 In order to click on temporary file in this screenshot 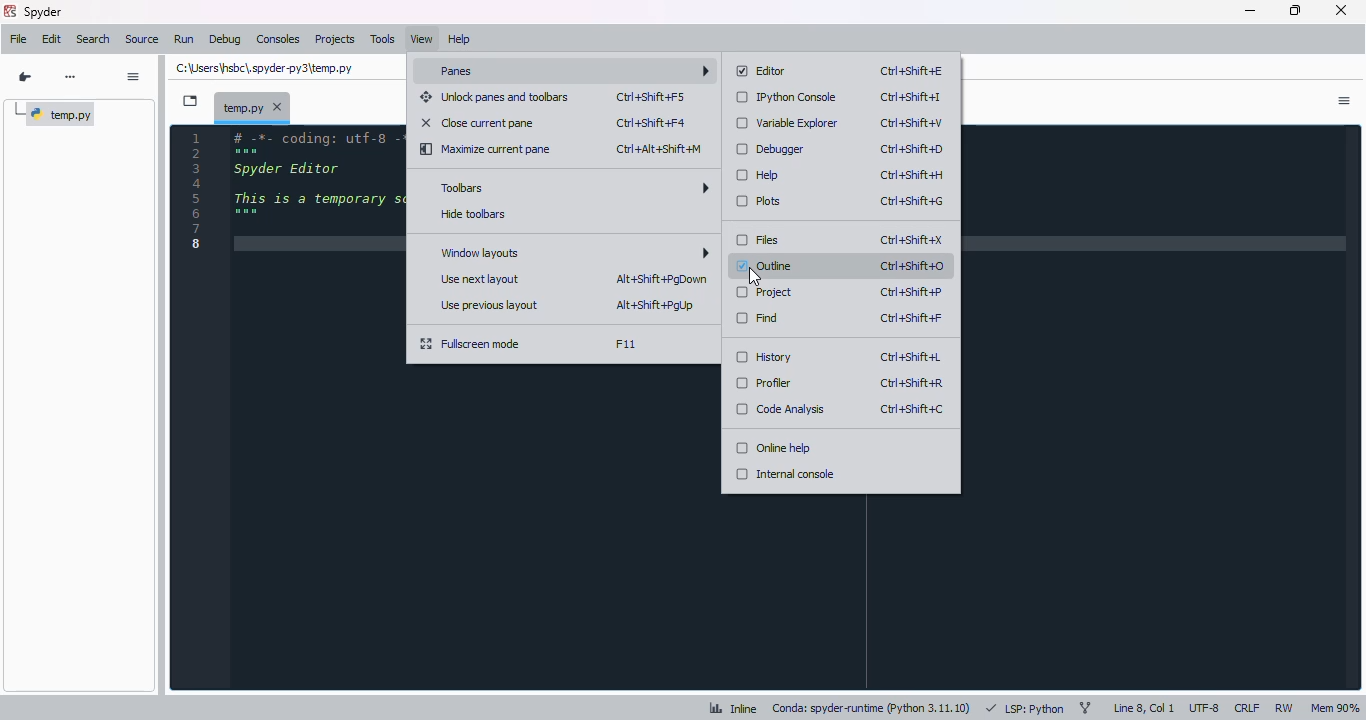, I will do `click(254, 107)`.